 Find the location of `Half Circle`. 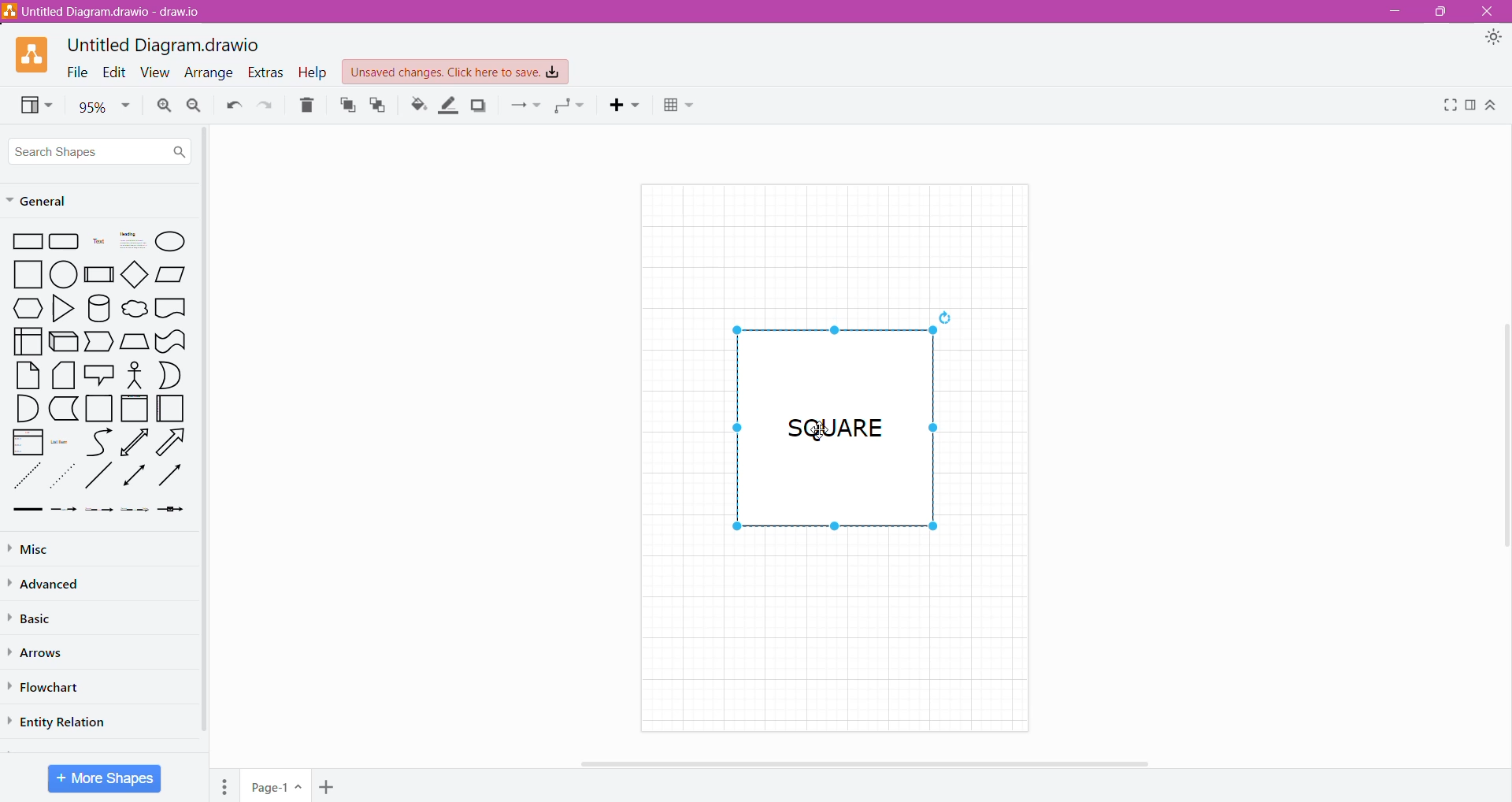

Half Circle is located at coordinates (170, 375).